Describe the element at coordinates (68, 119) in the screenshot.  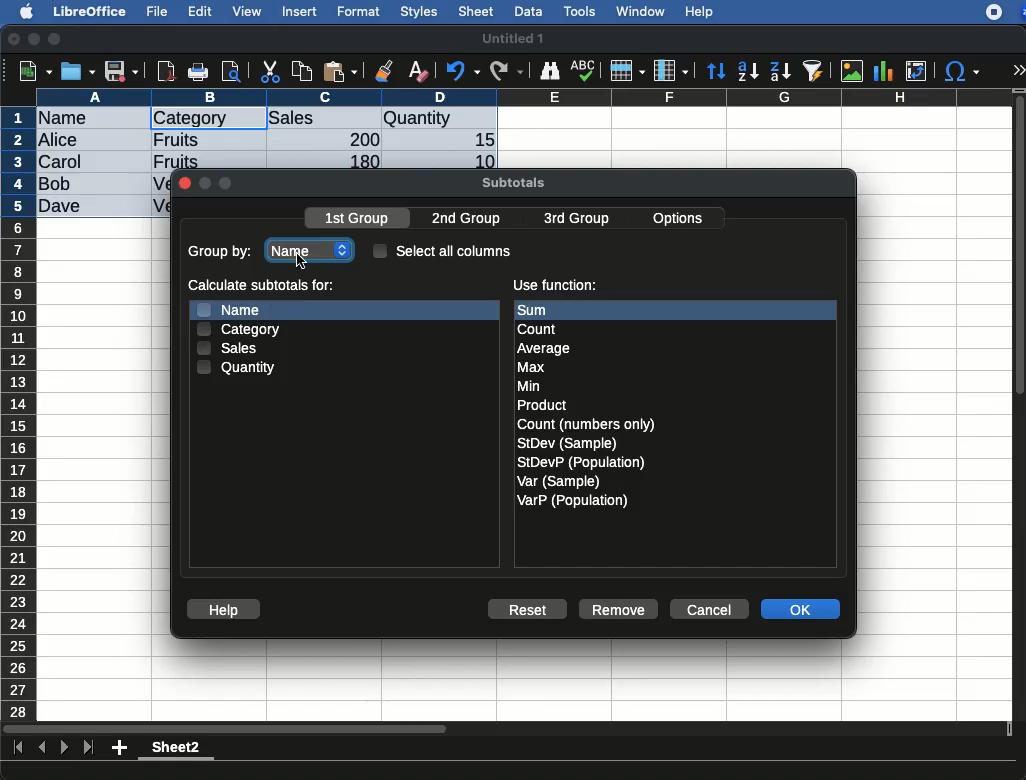
I see `name` at that location.